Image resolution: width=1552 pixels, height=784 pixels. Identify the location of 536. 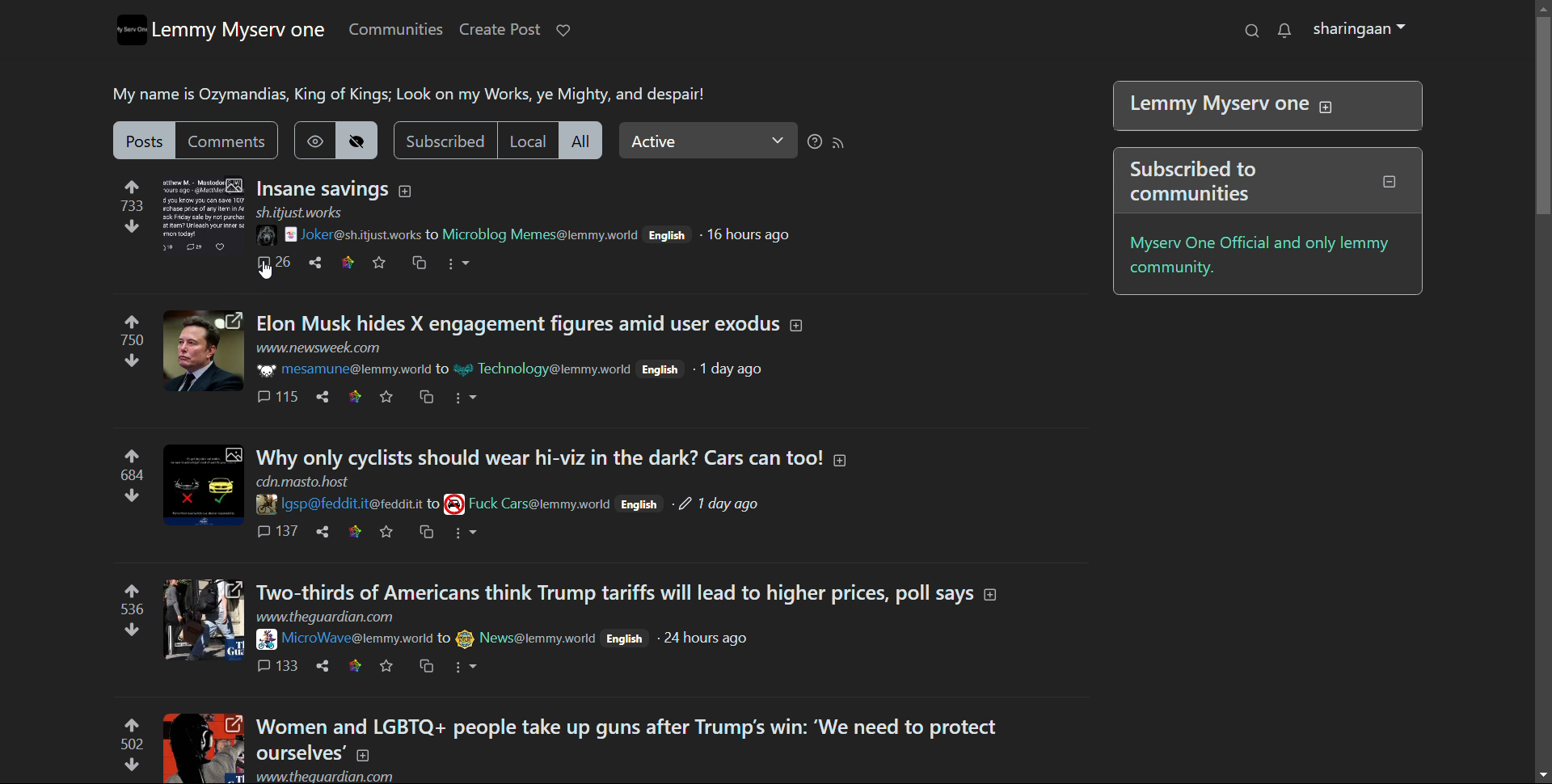
(132, 611).